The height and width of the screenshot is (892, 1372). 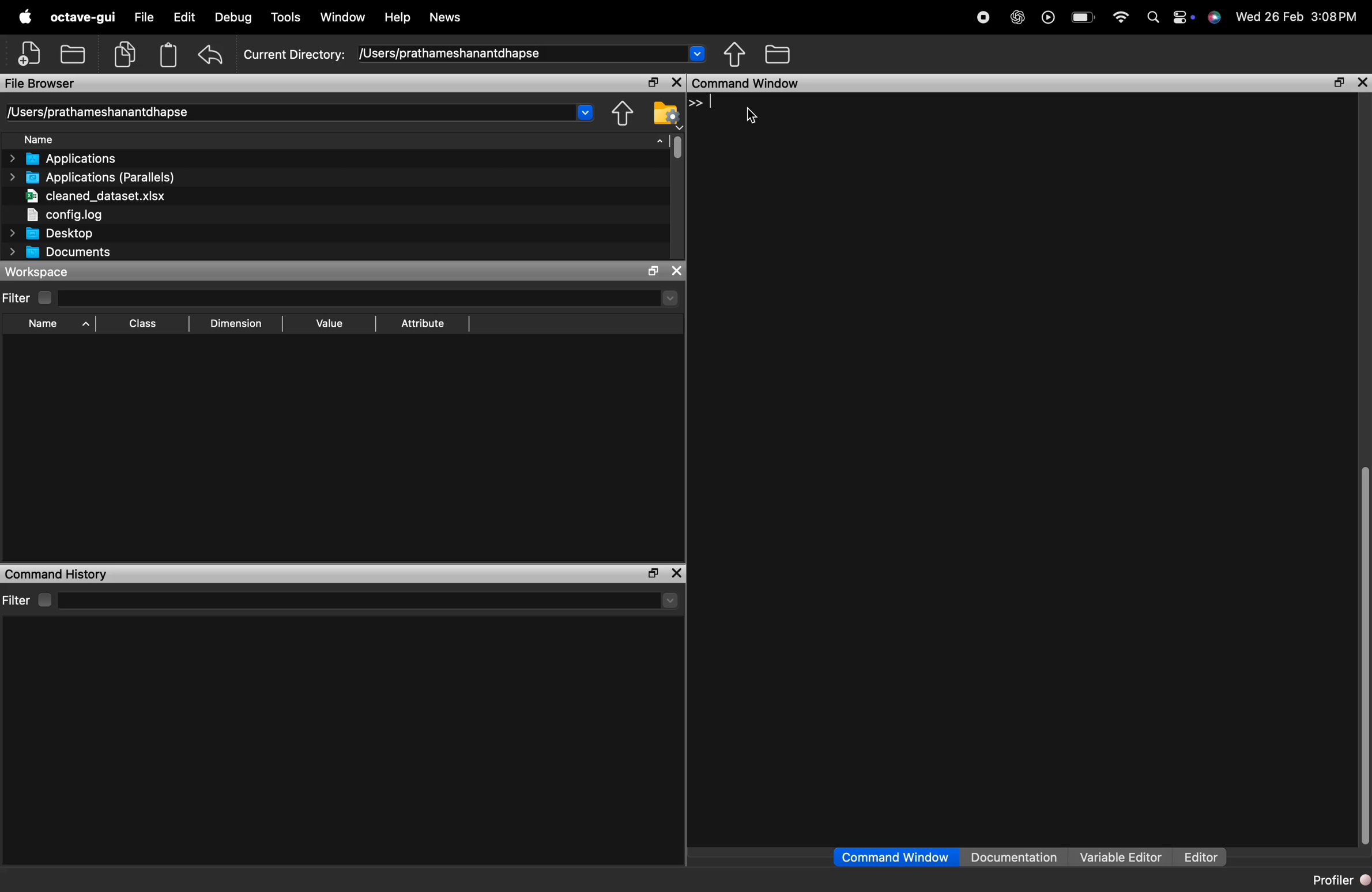 What do you see at coordinates (328, 327) in the screenshot?
I see `Value` at bounding box center [328, 327].